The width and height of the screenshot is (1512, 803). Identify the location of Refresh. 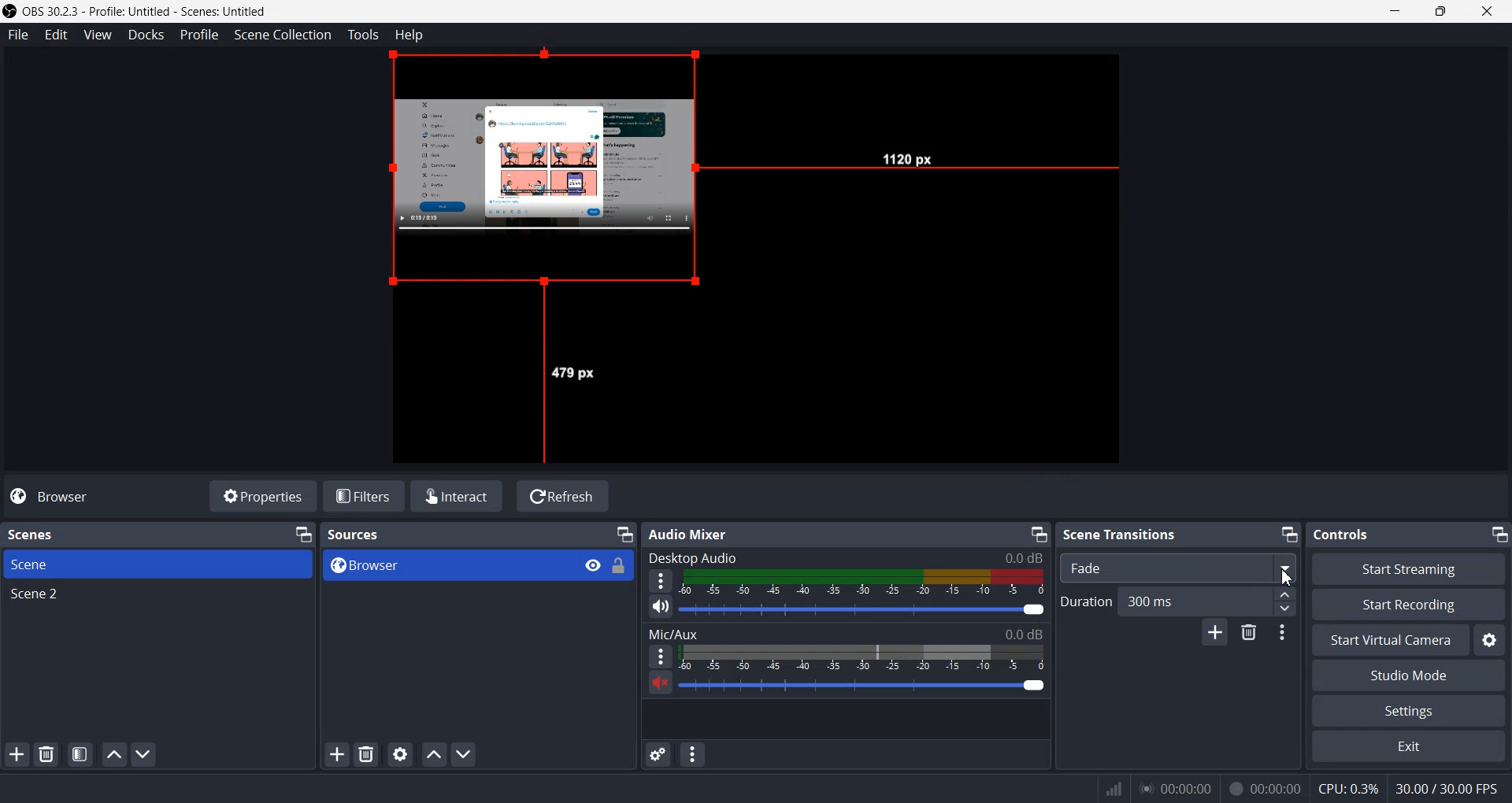
(563, 496).